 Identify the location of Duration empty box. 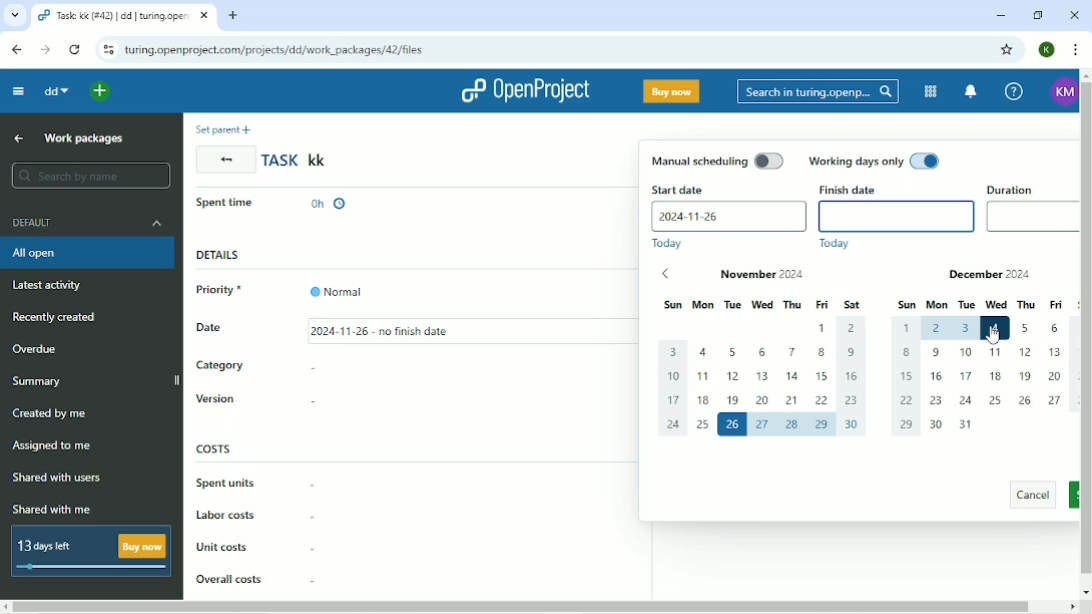
(1029, 218).